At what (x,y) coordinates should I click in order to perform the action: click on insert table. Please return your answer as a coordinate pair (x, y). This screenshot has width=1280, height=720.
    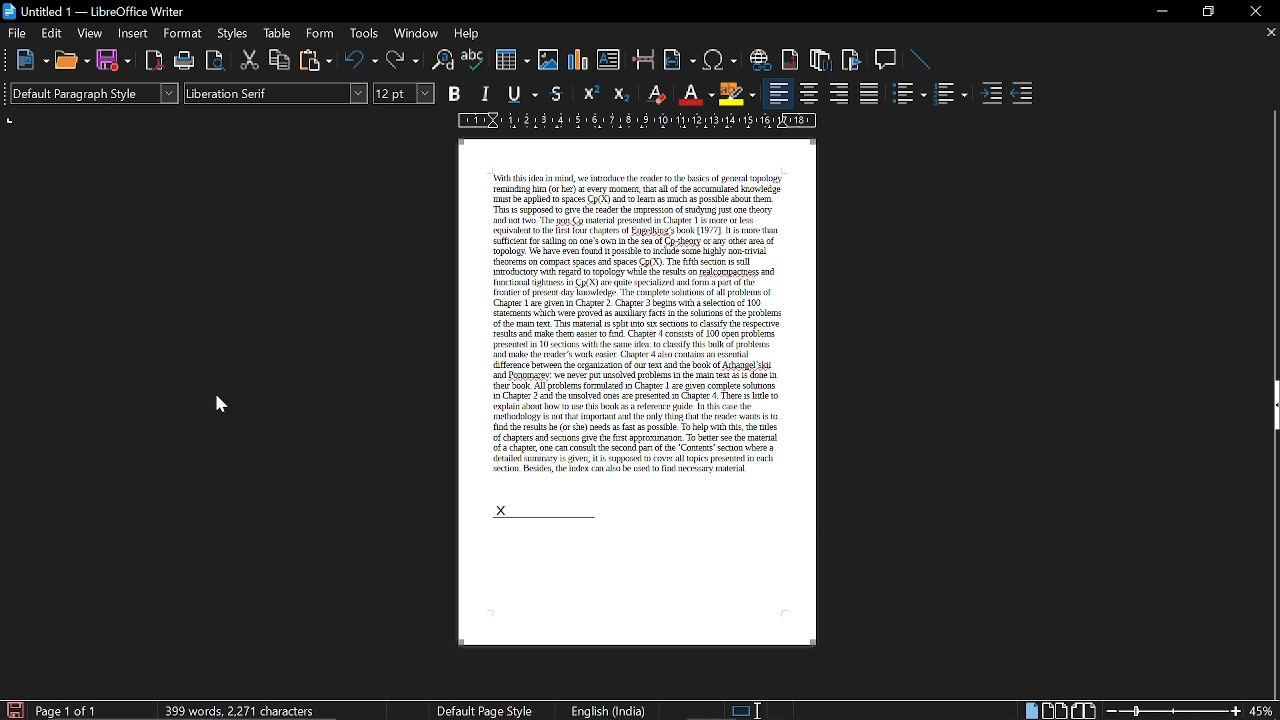
    Looking at the image, I should click on (511, 60).